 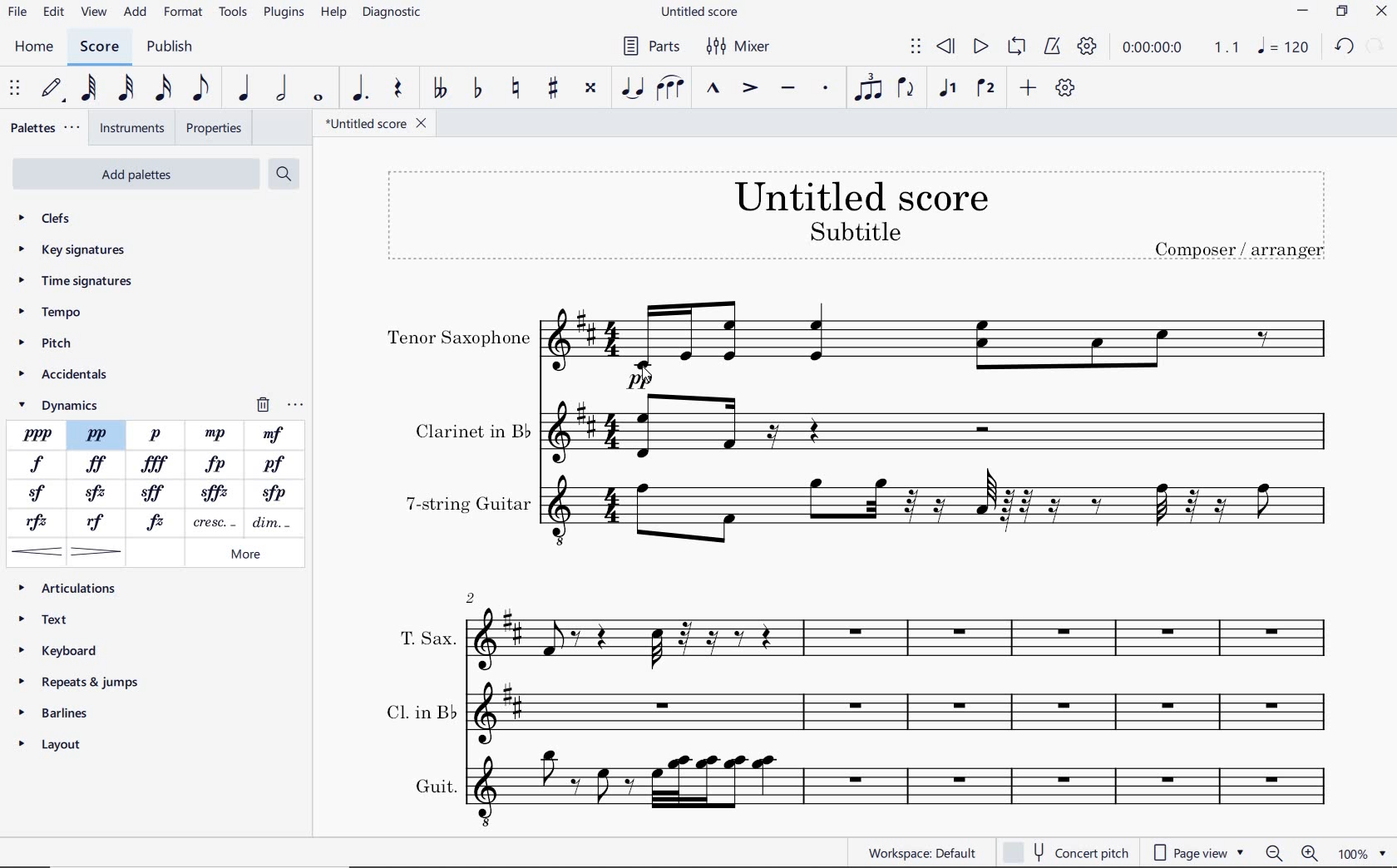 What do you see at coordinates (68, 589) in the screenshot?
I see `ARTICULATIONS` at bounding box center [68, 589].